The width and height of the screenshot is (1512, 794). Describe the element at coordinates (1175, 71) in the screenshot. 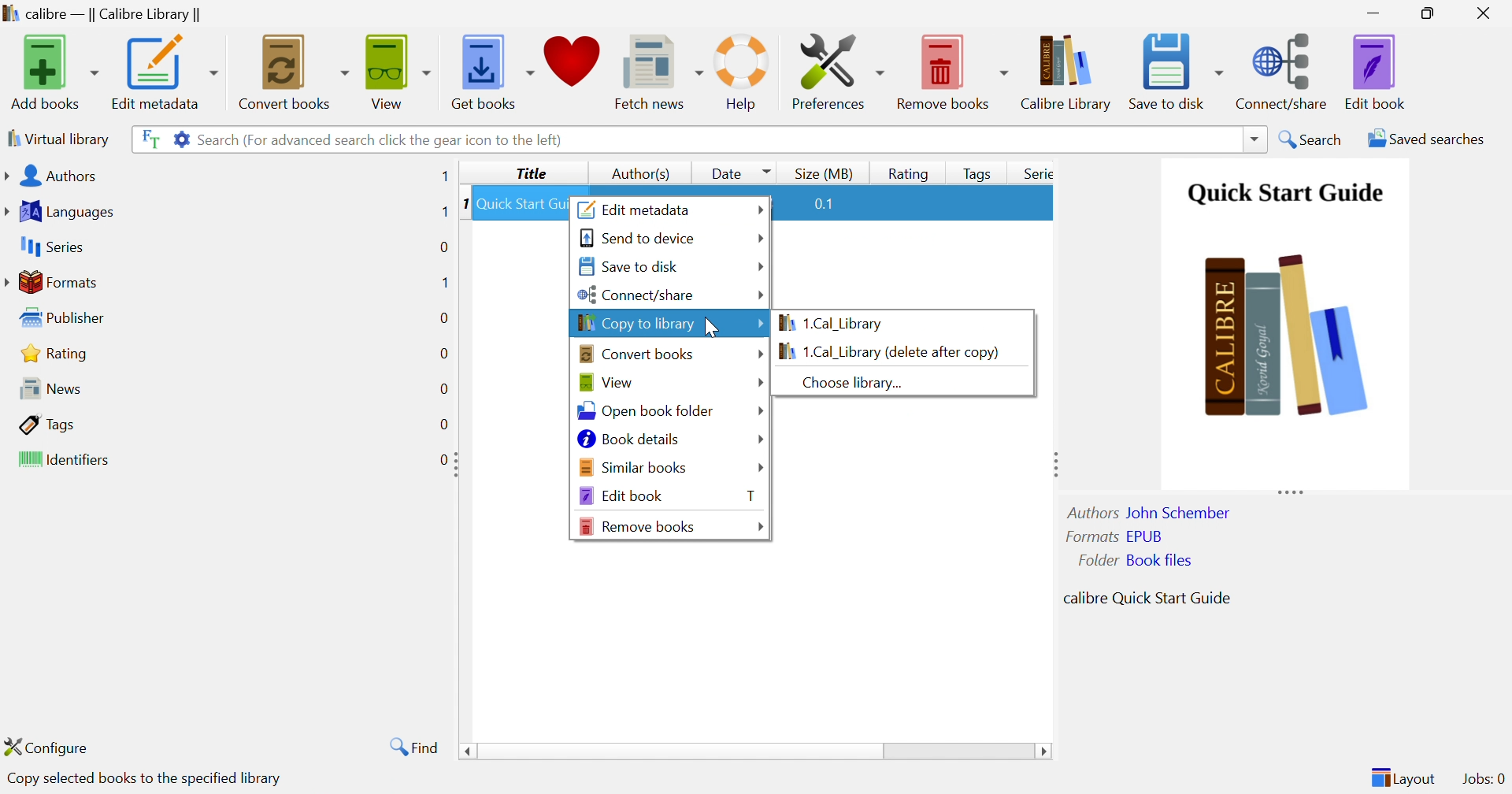

I see `Save to disk` at that location.